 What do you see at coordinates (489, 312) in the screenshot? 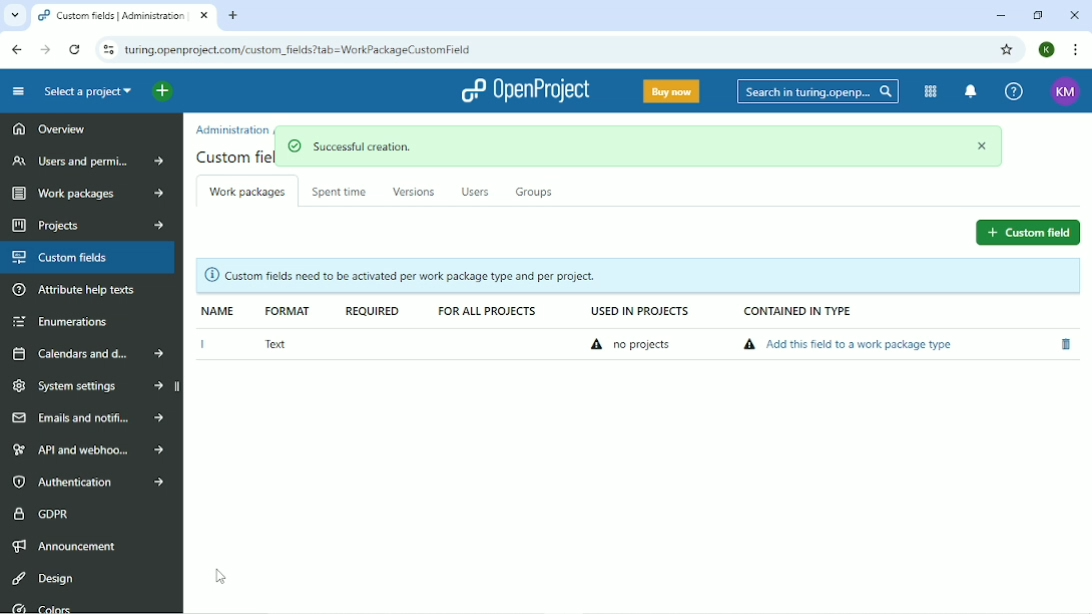
I see `For all projects` at bounding box center [489, 312].